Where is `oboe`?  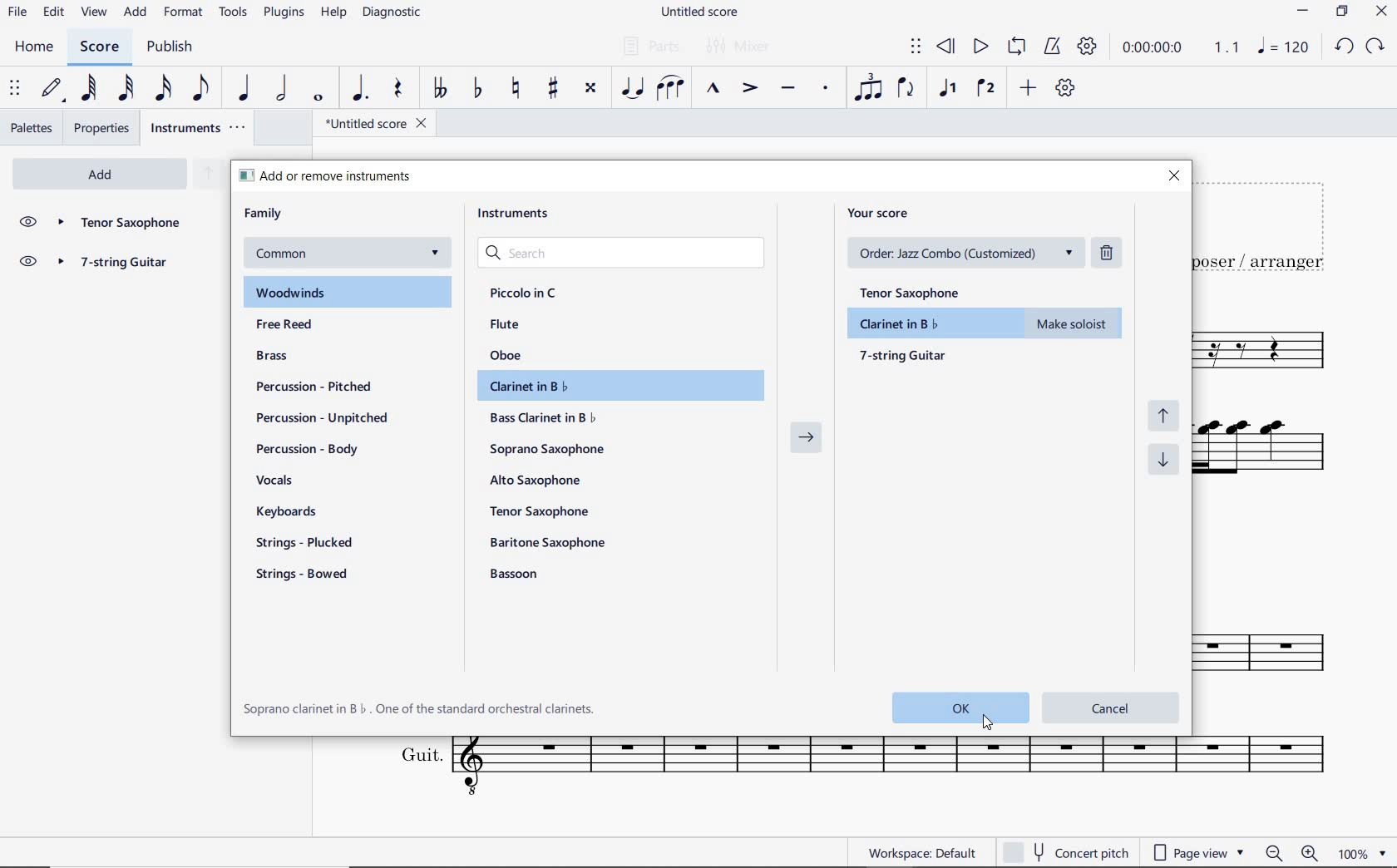
oboe is located at coordinates (509, 355).